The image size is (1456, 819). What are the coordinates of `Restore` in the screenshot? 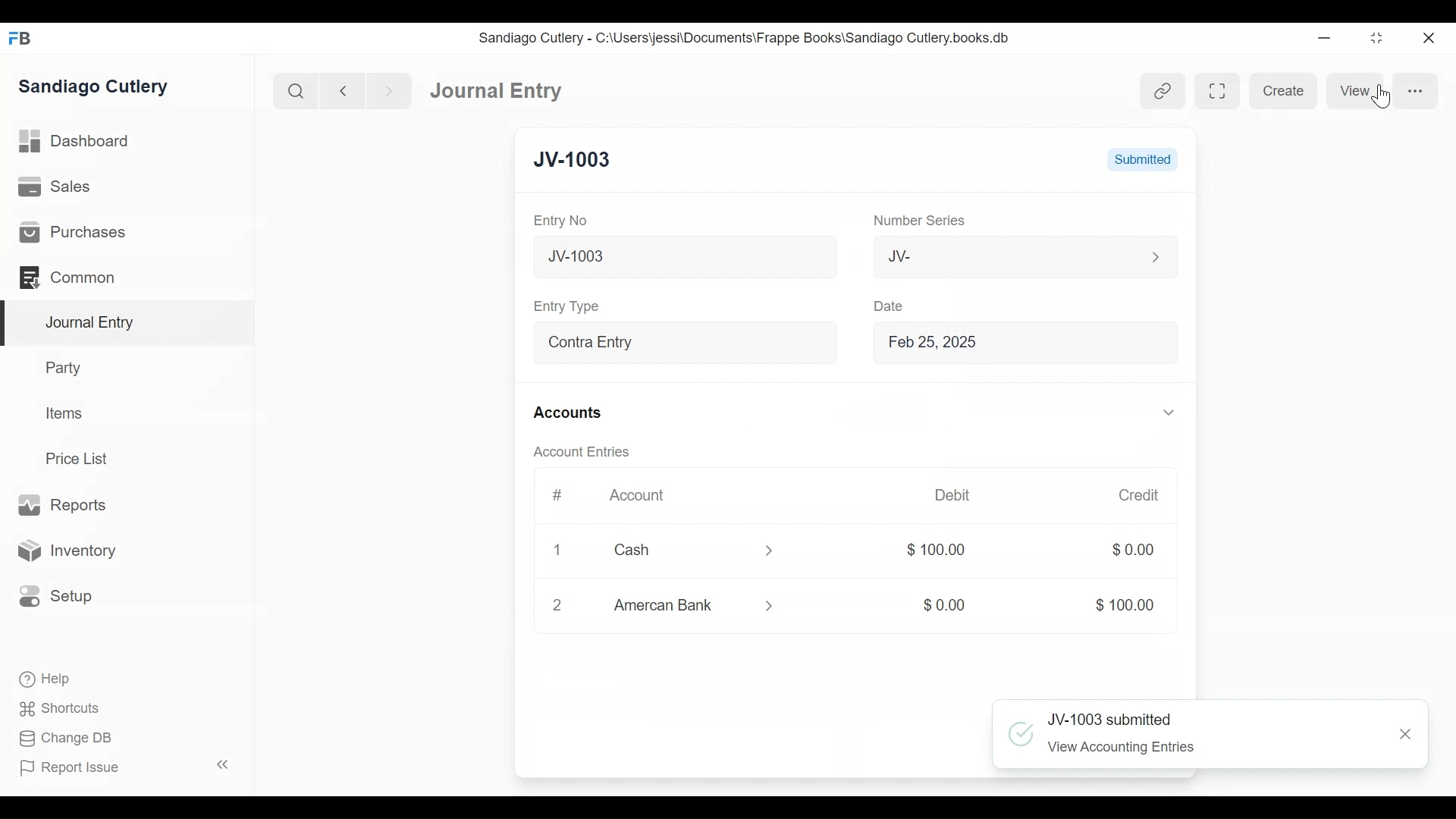 It's located at (1376, 39).